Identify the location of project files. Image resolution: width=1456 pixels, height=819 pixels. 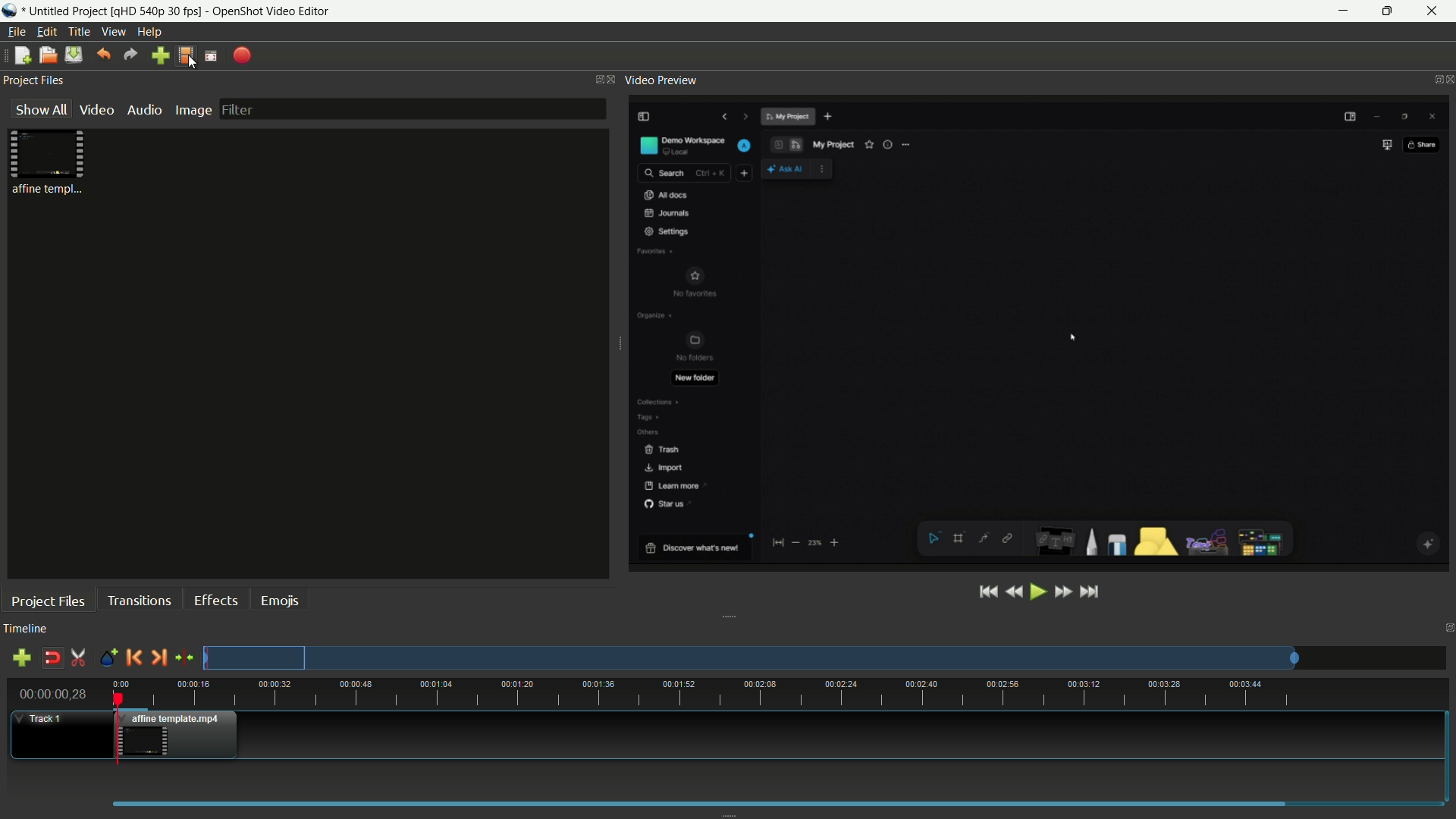
(49, 601).